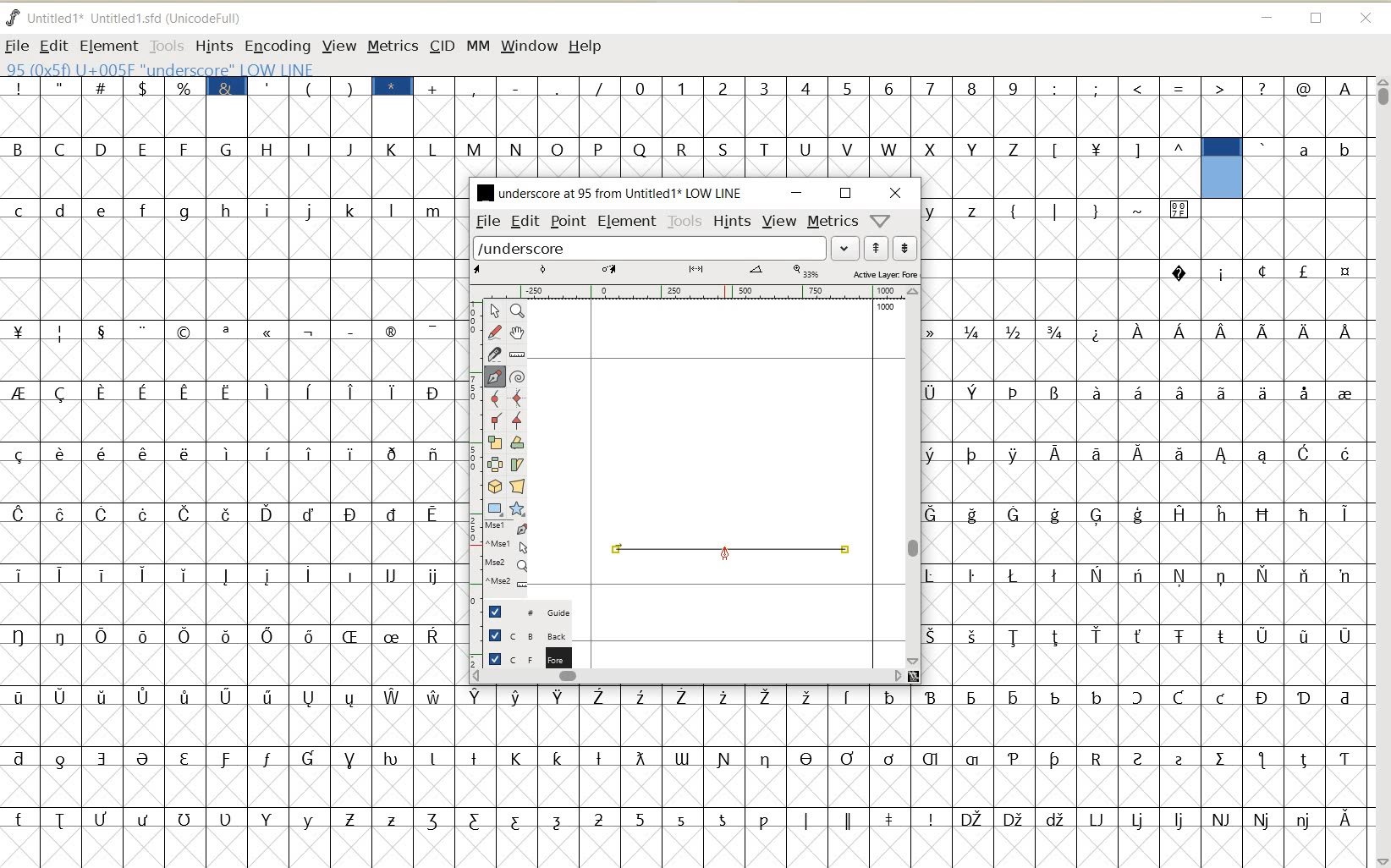 This screenshot has width=1391, height=868. I want to click on HINTS, so click(732, 221).